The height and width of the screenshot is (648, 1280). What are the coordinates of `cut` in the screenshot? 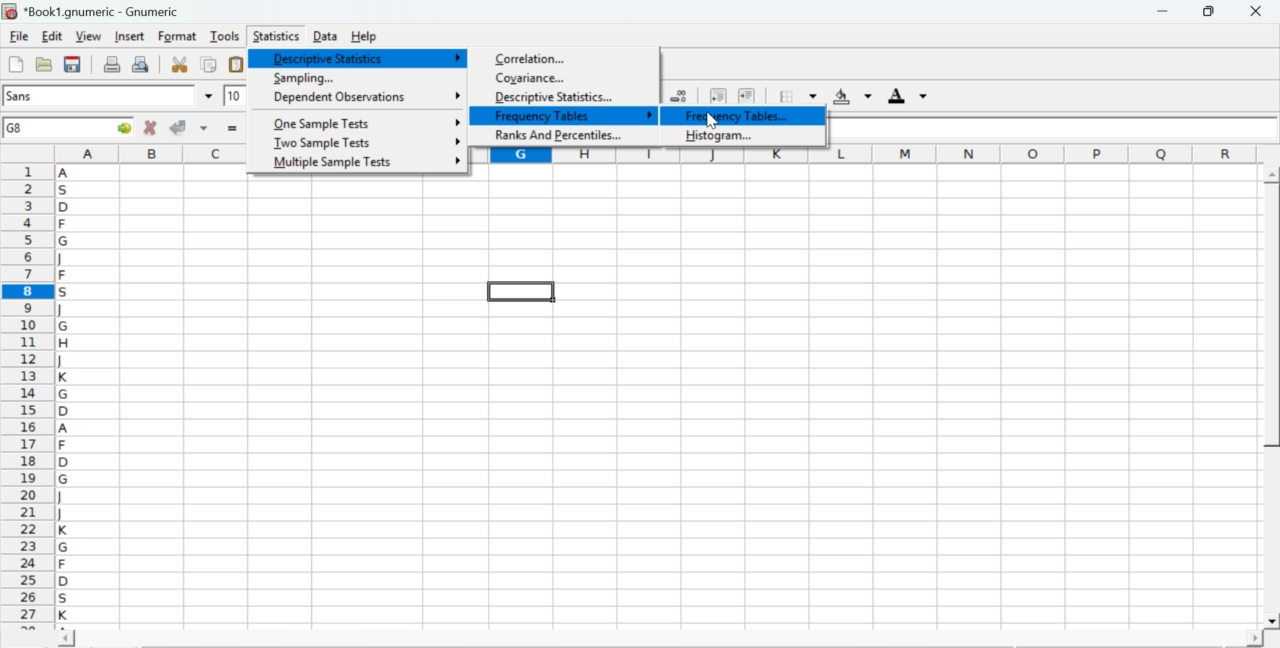 It's located at (179, 64).